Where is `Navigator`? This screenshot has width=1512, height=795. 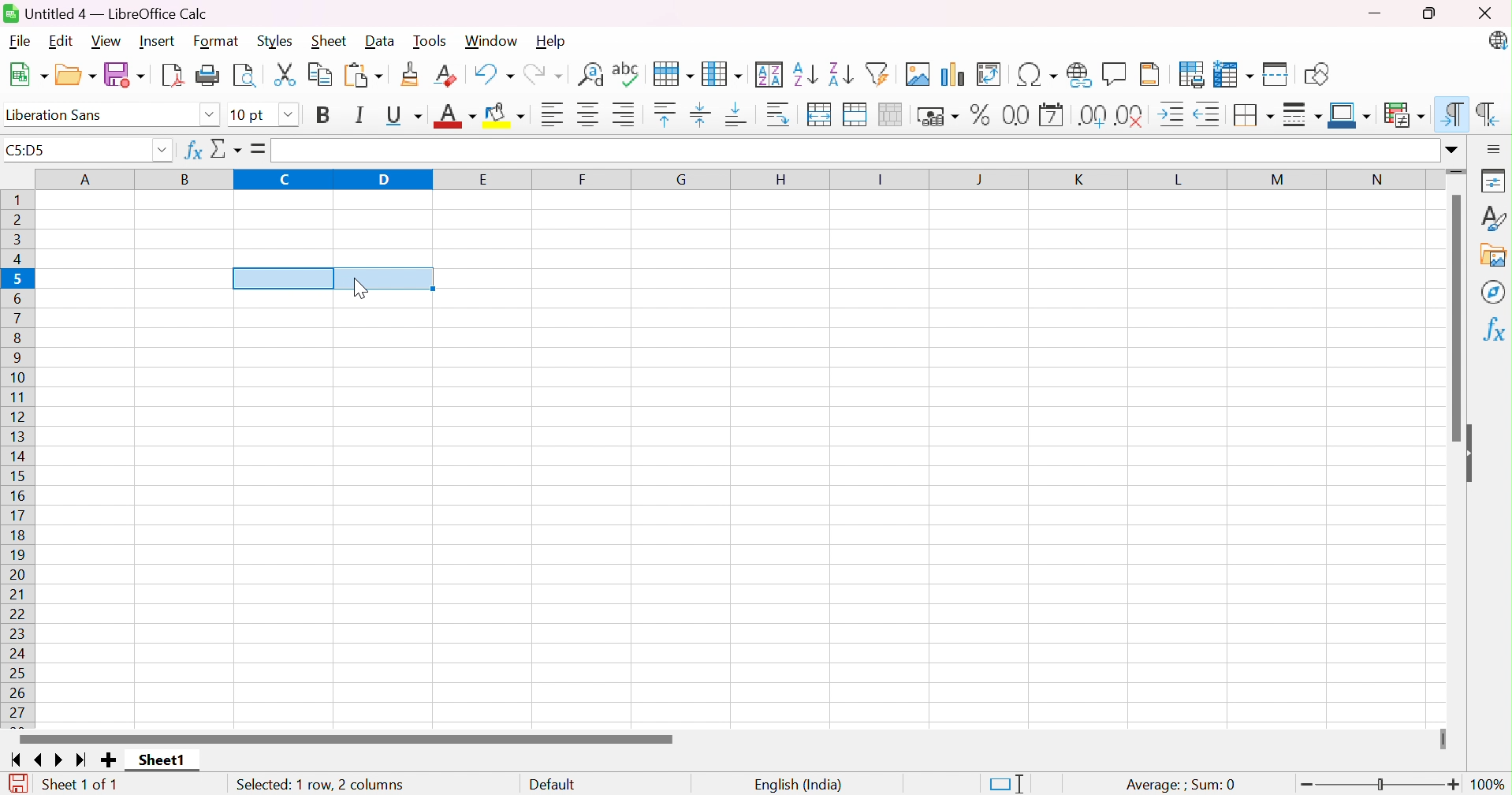 Navigator is located at coordinates (1492, 293).